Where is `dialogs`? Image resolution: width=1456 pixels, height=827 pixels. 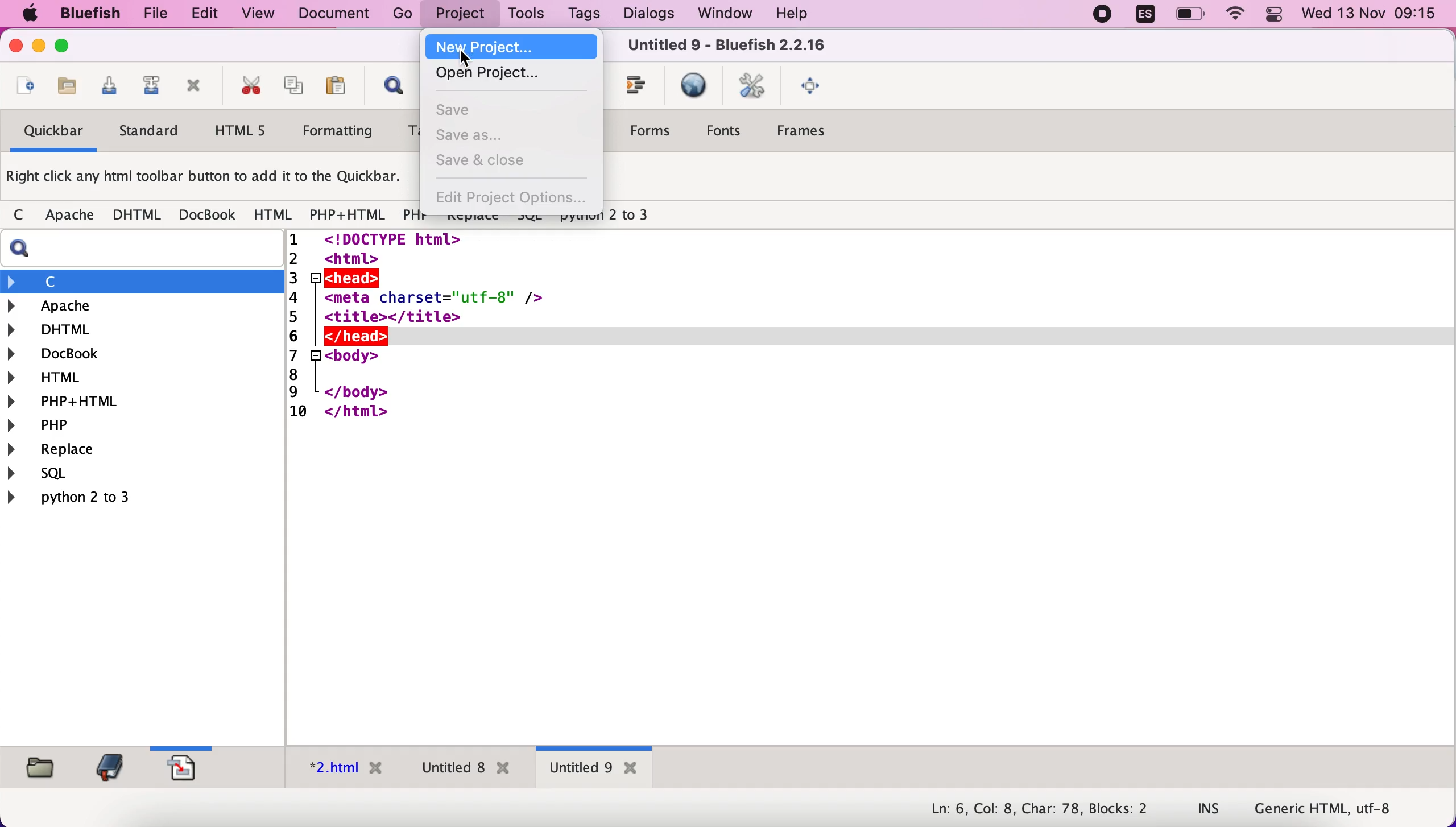 dialogs is located at coordinates (645, 14).